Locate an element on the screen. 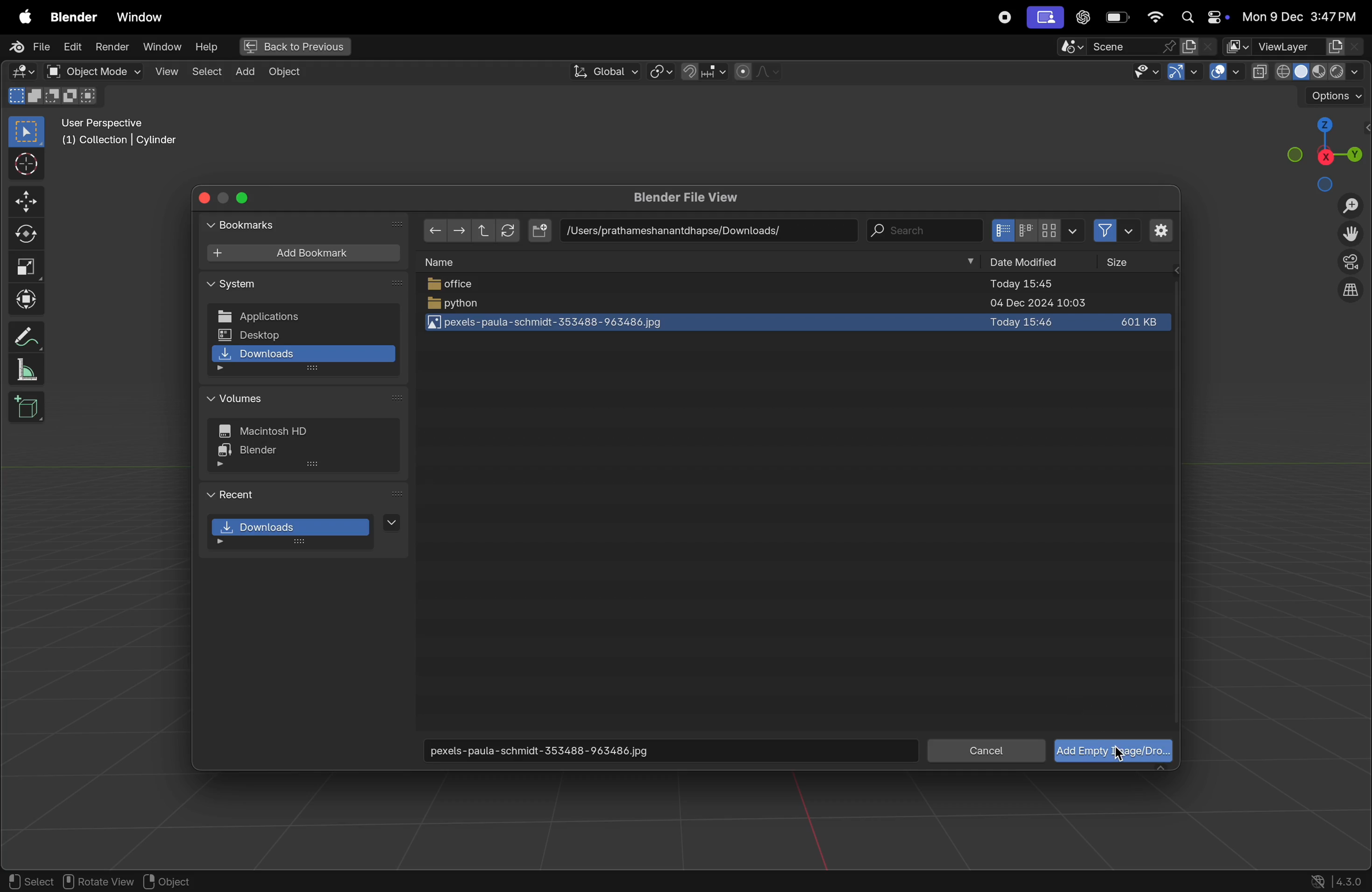  size is located at coordinates (1128, 263).